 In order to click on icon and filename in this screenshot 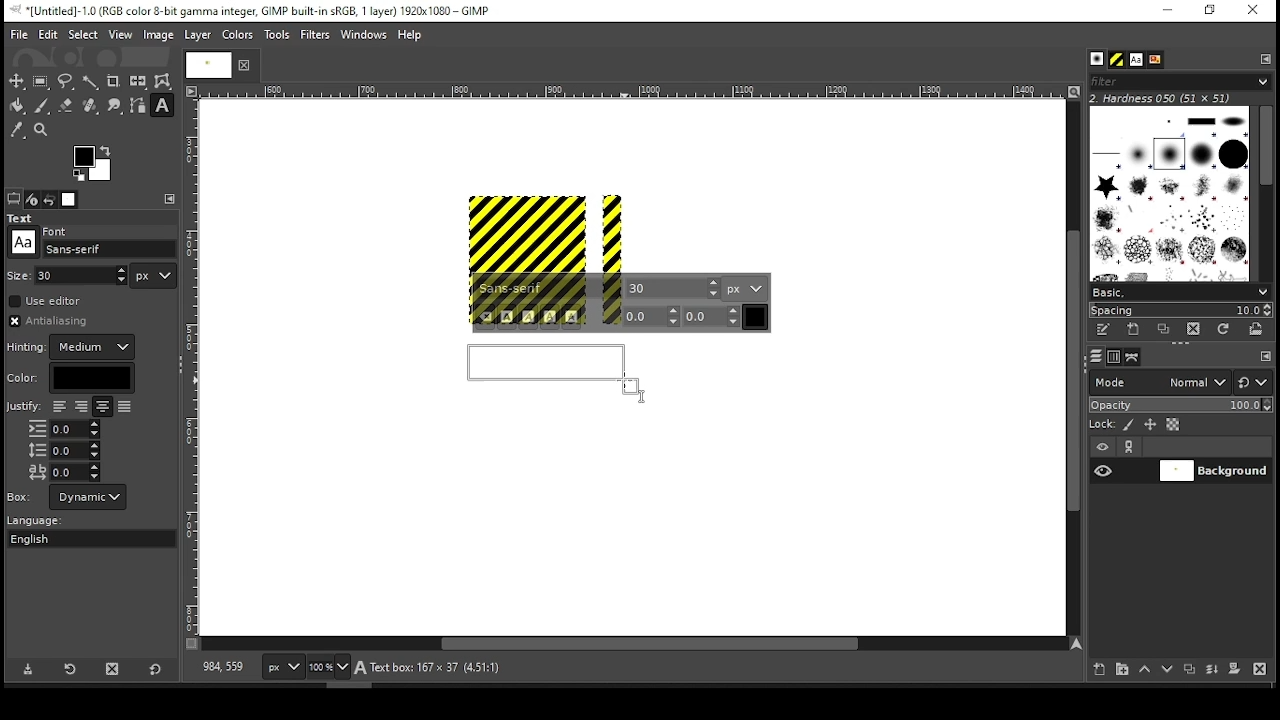, I will do `click(252, 9)`.